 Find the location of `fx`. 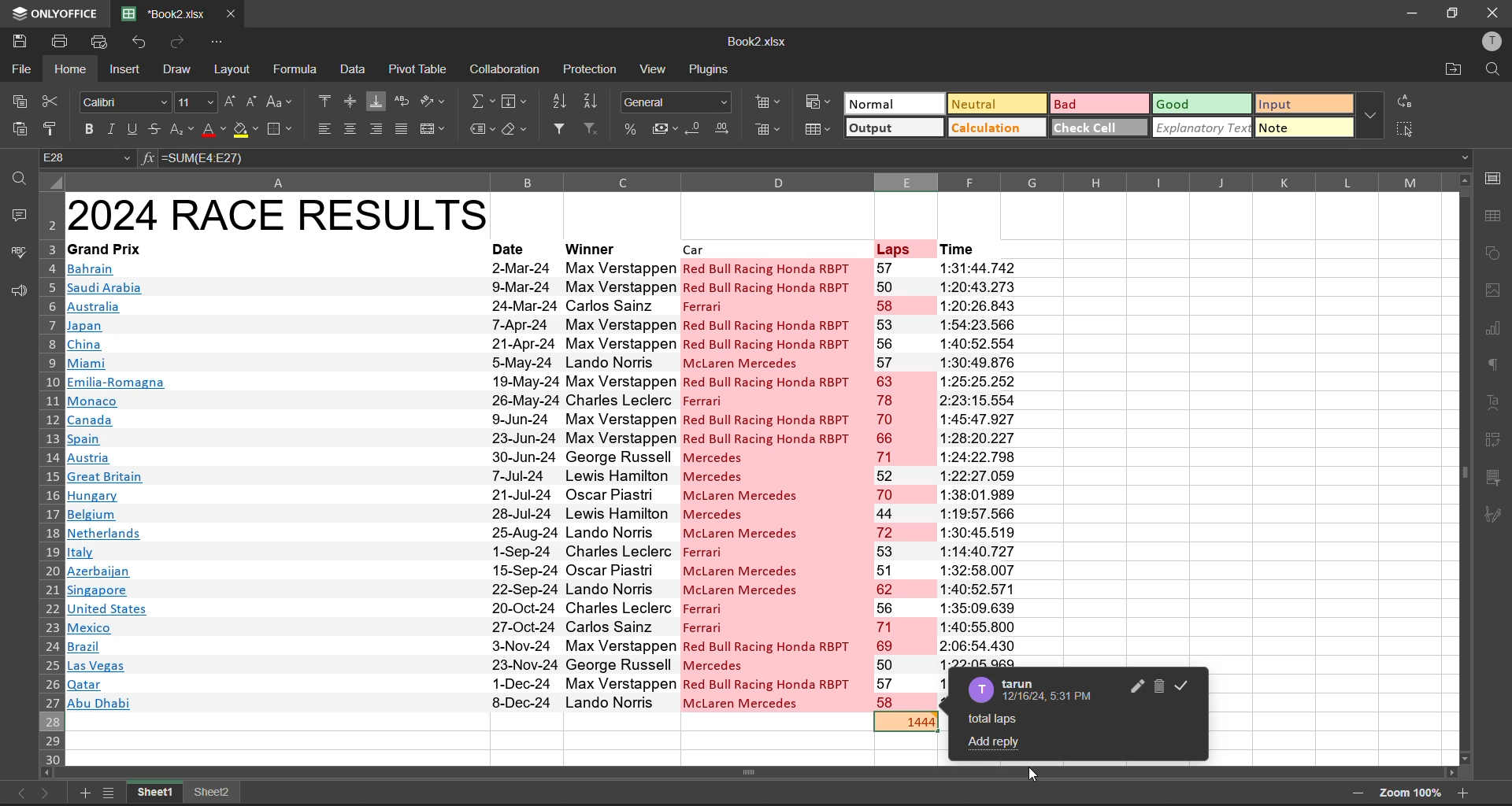

fx is located at coordinates (148, 157).